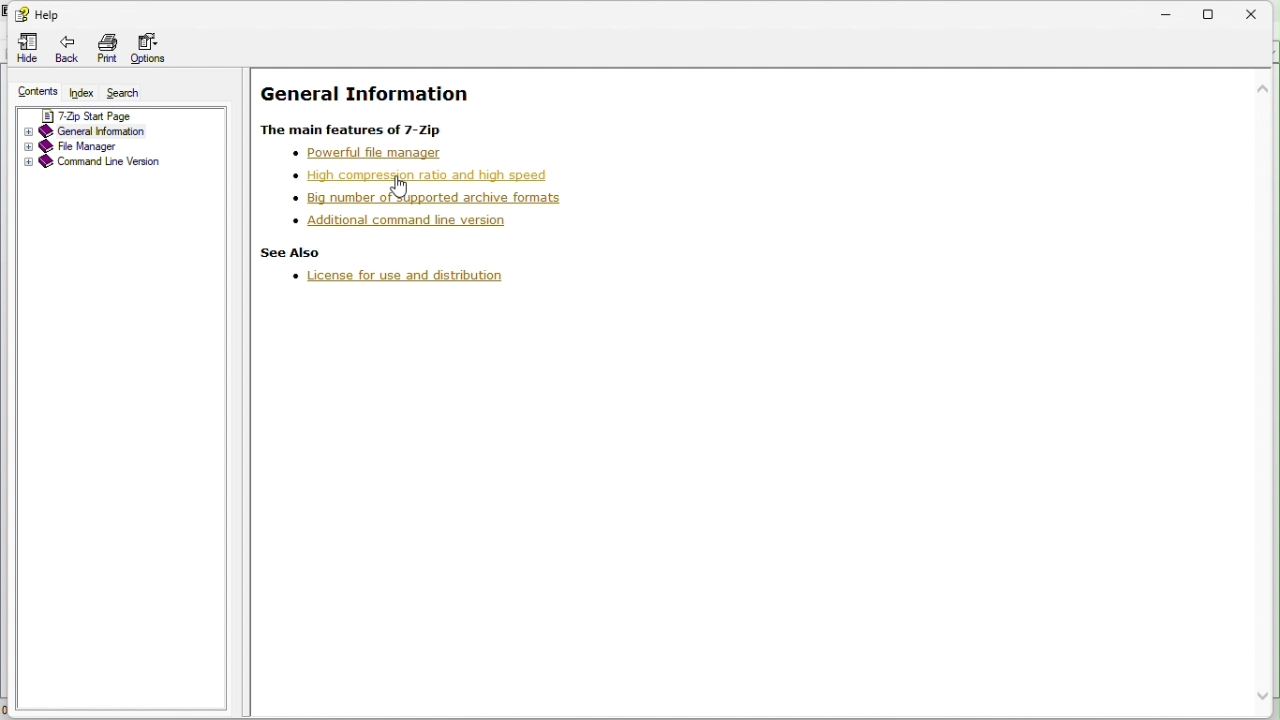  I want to click on Content, so click(38, 89).